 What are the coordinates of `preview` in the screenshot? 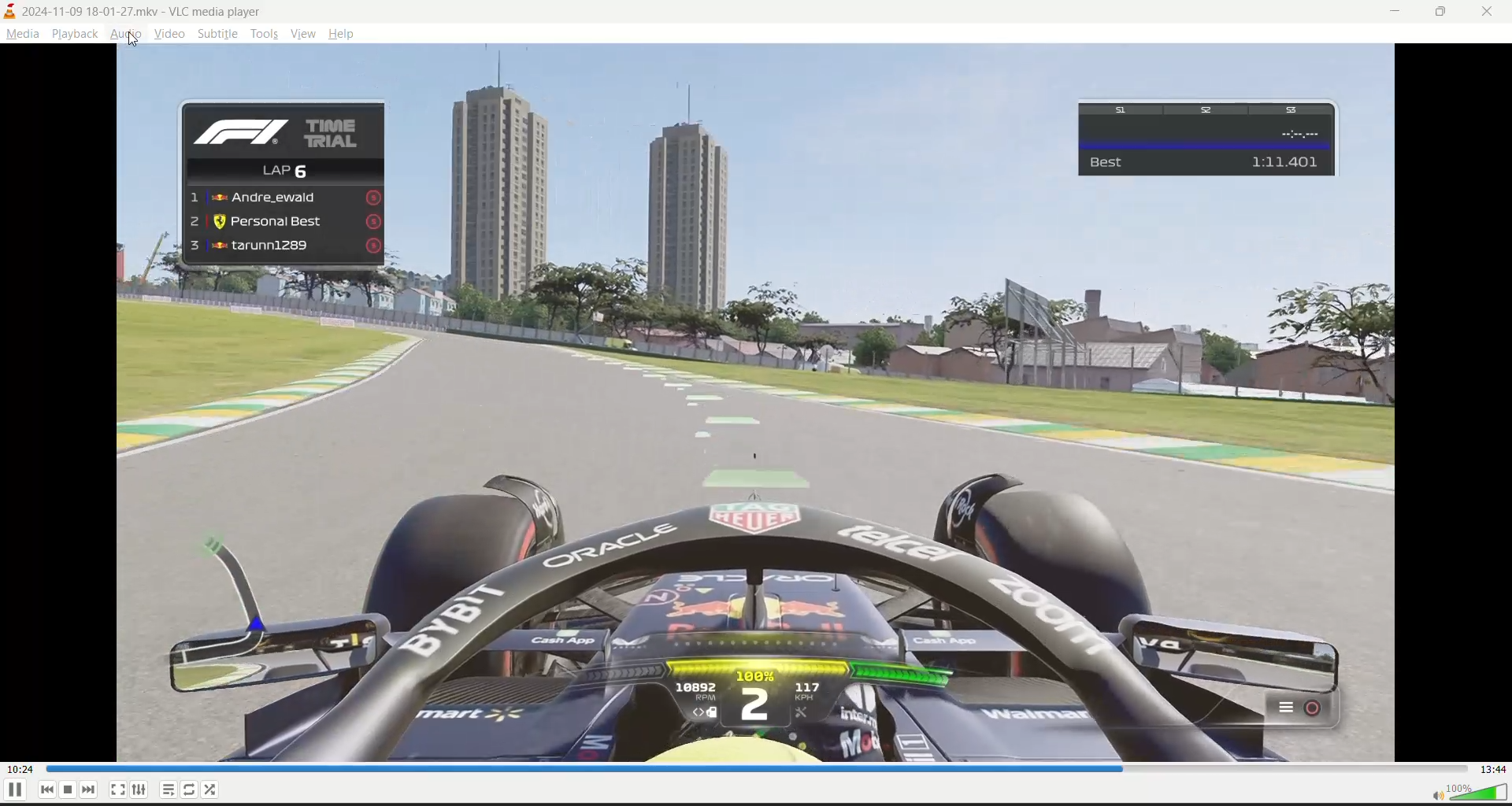 It's located at (1231, 242).